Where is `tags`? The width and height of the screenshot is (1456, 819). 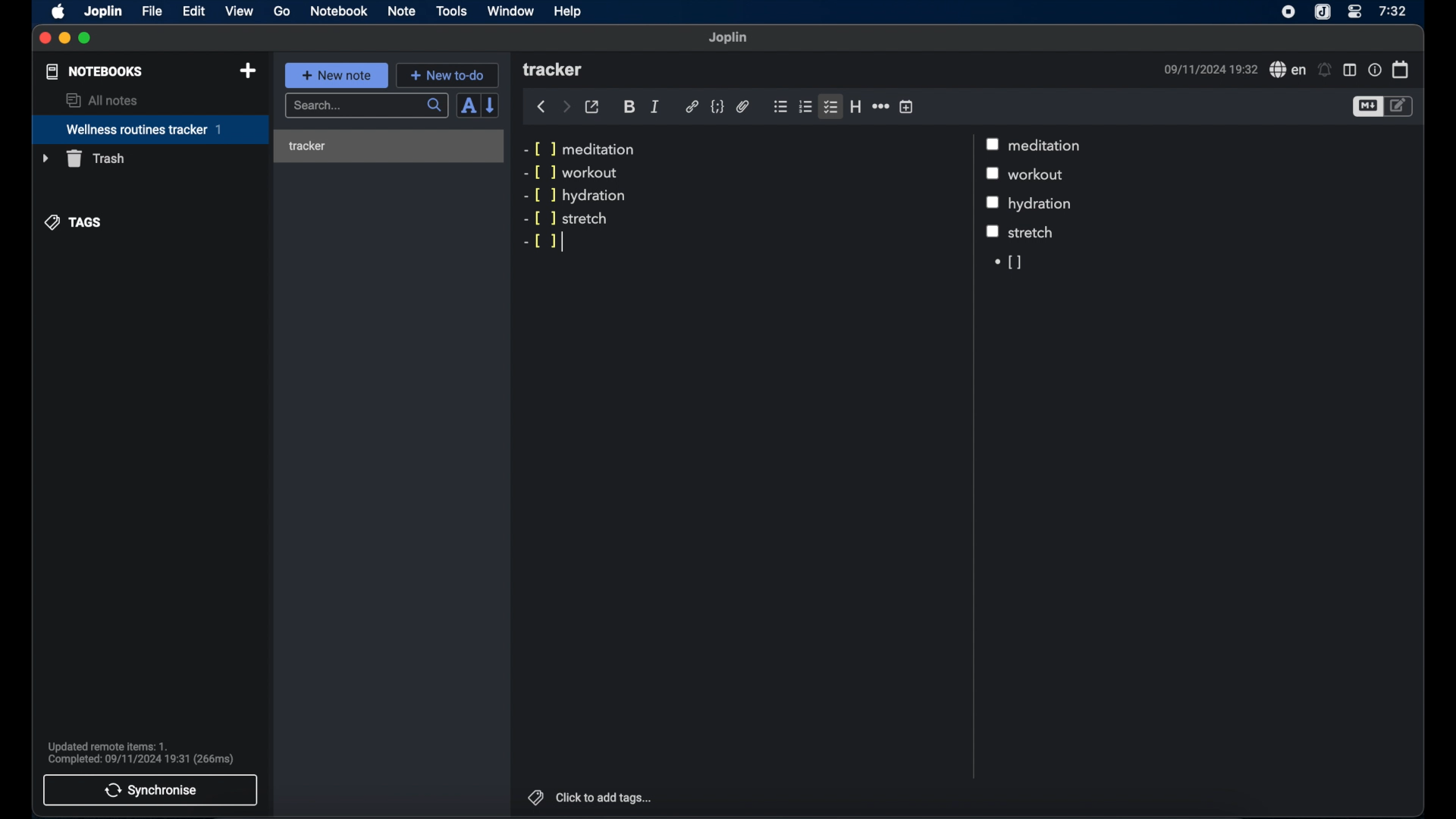
tags is located at coordinates (533, 795).